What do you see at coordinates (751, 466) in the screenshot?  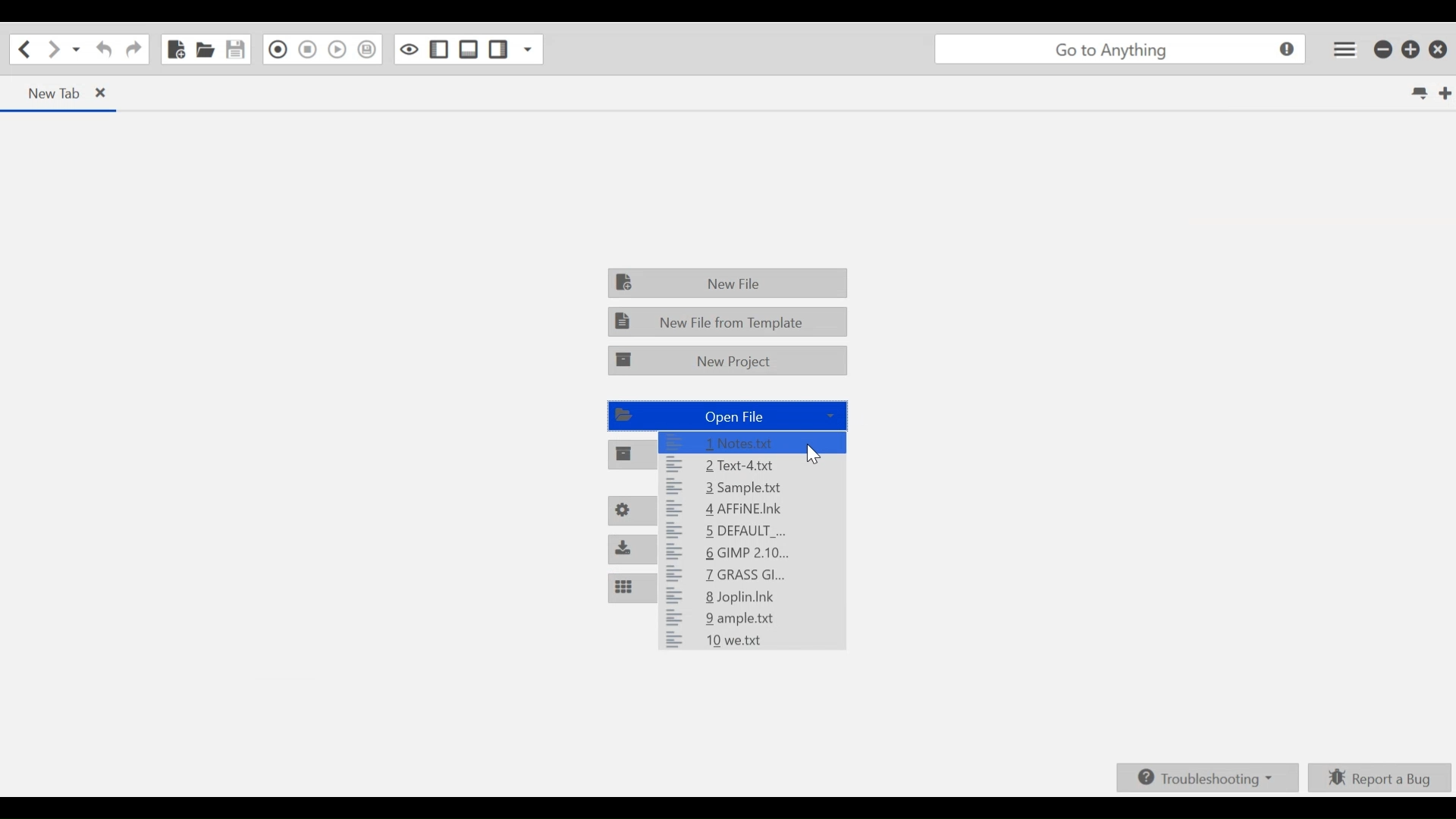 I see `2 Text-4.txt` at bounding box center [751, 466].